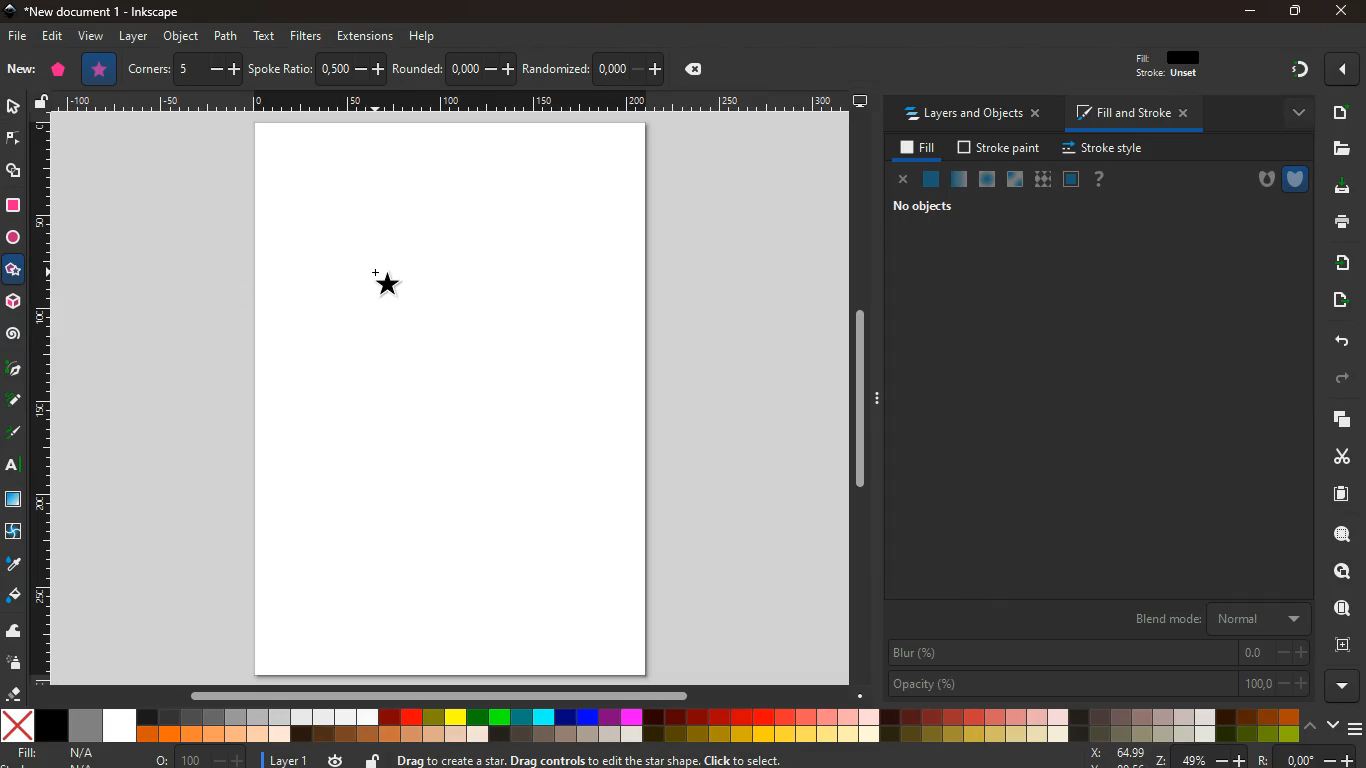 Image resolution: width=1366 pixels, height=768 pixels. I want to click on search, so click(1338, 572).